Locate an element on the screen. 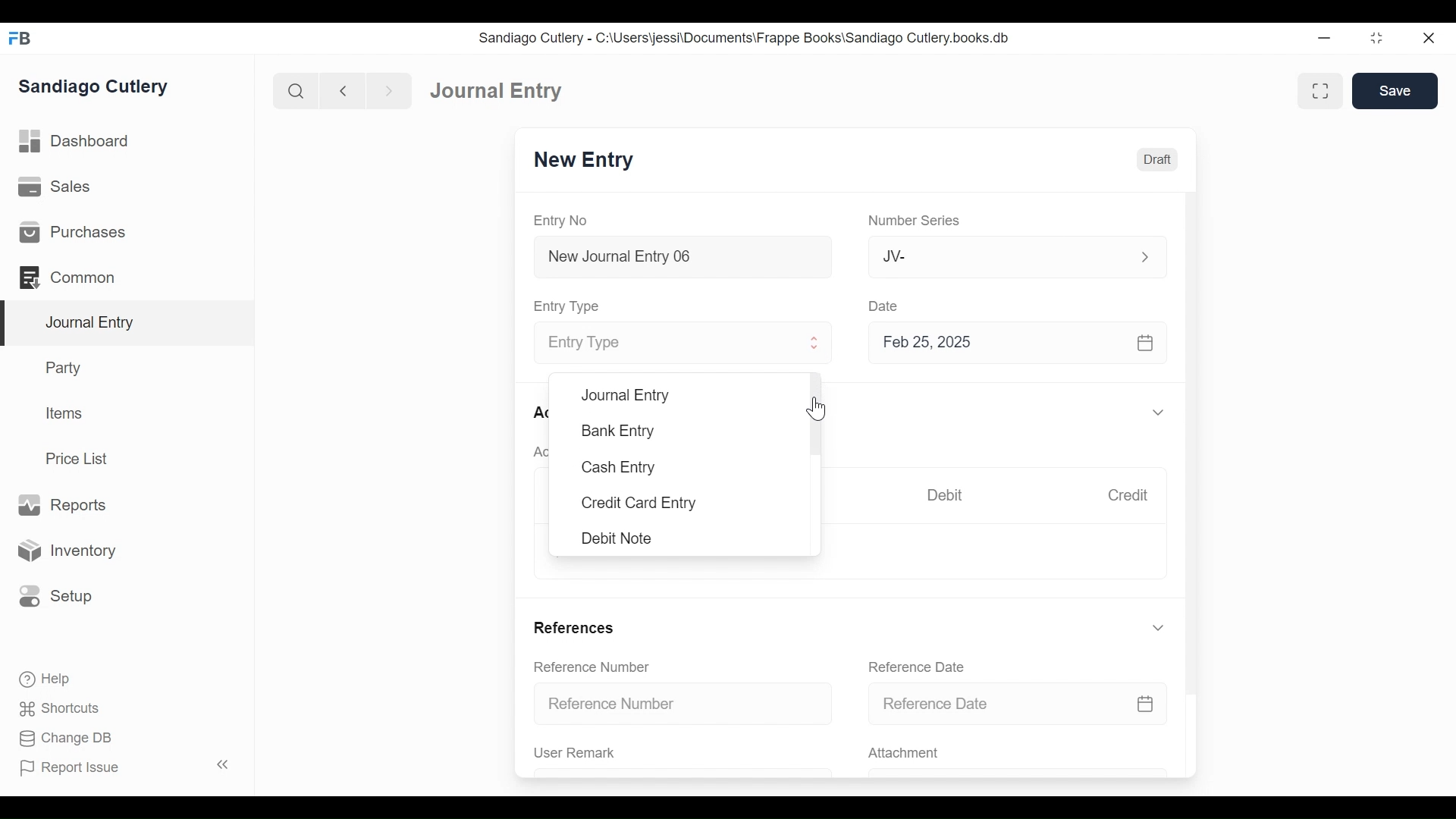  Close is located at coordinates (1431, 37).